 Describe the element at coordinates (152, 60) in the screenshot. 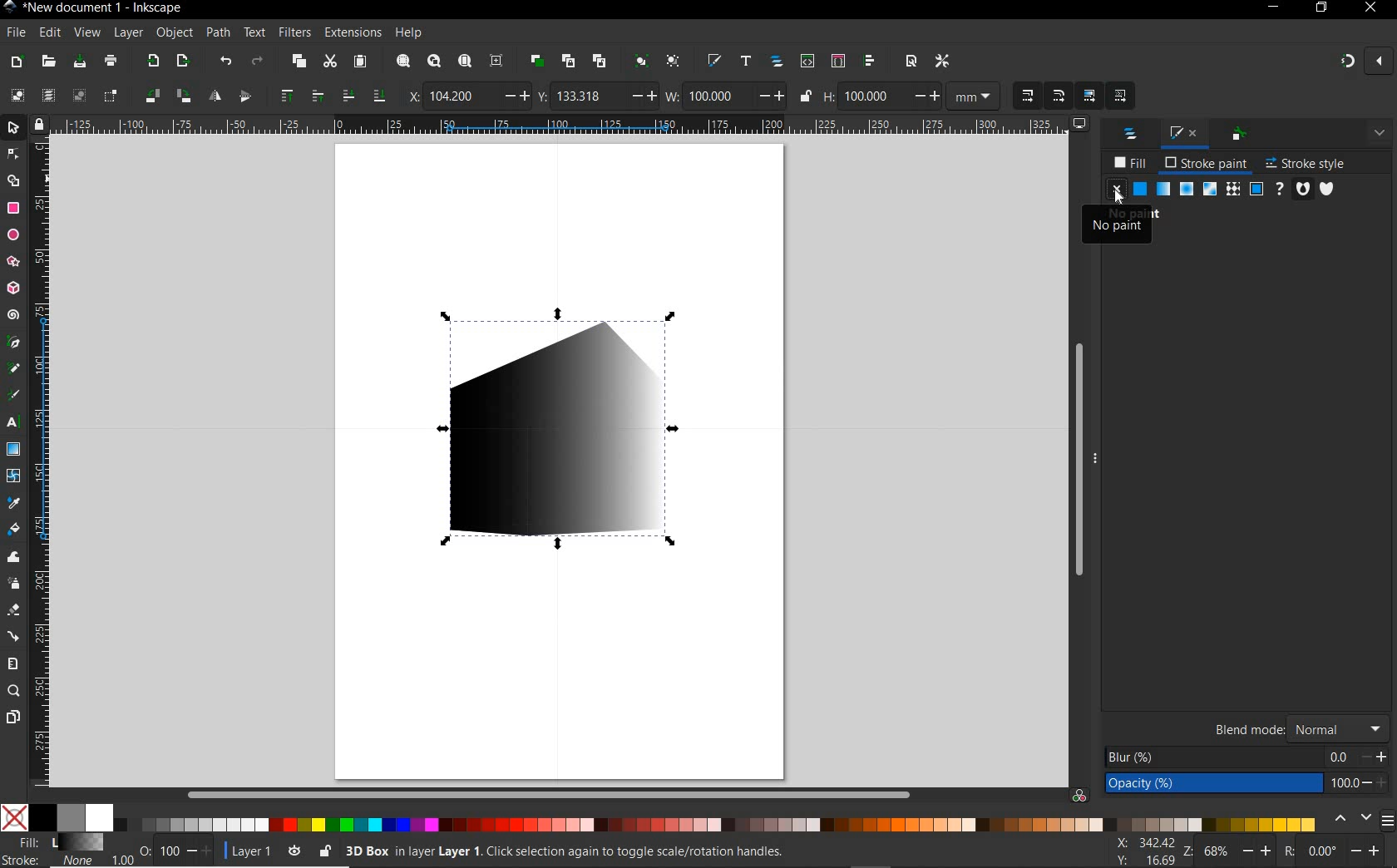

I see `IMPORT` at that location.